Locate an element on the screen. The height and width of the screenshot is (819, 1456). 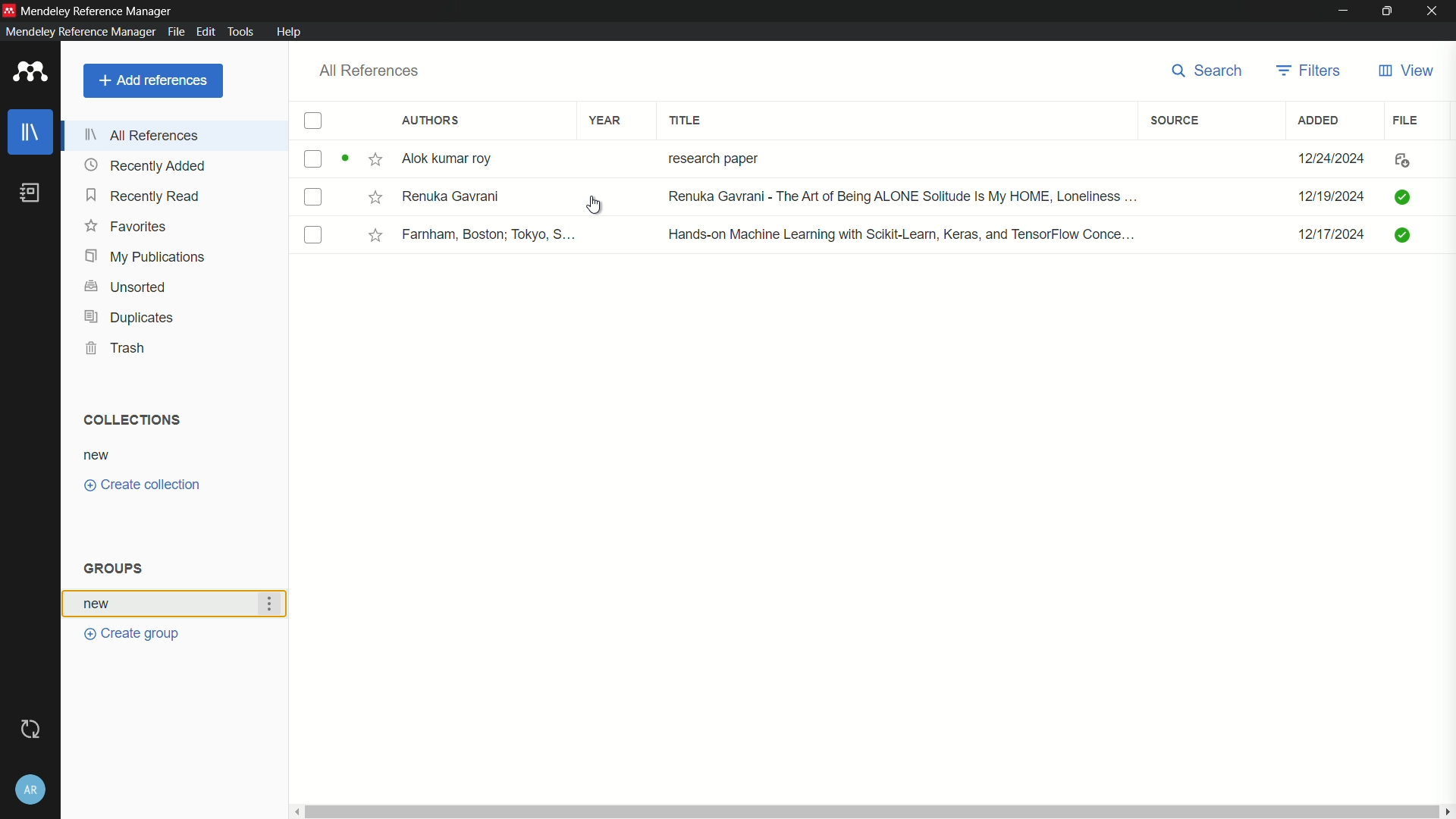
new is located at coordinates (97, 455).